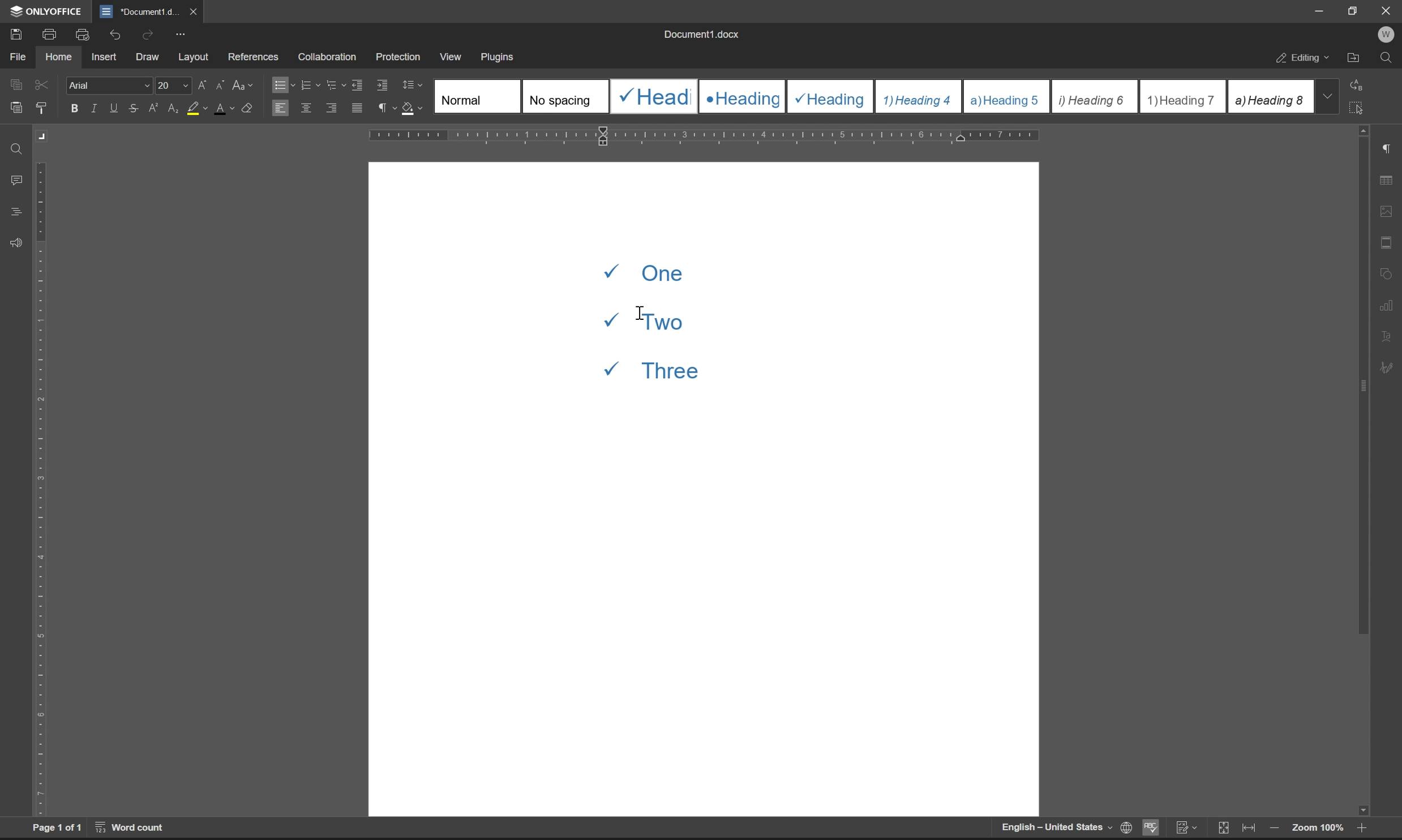 Image resolution: width=1402 pixels, height=840 pixels. Describe the element at coordinates (1360, 84) in the screenshot. I see `replace` at that location.